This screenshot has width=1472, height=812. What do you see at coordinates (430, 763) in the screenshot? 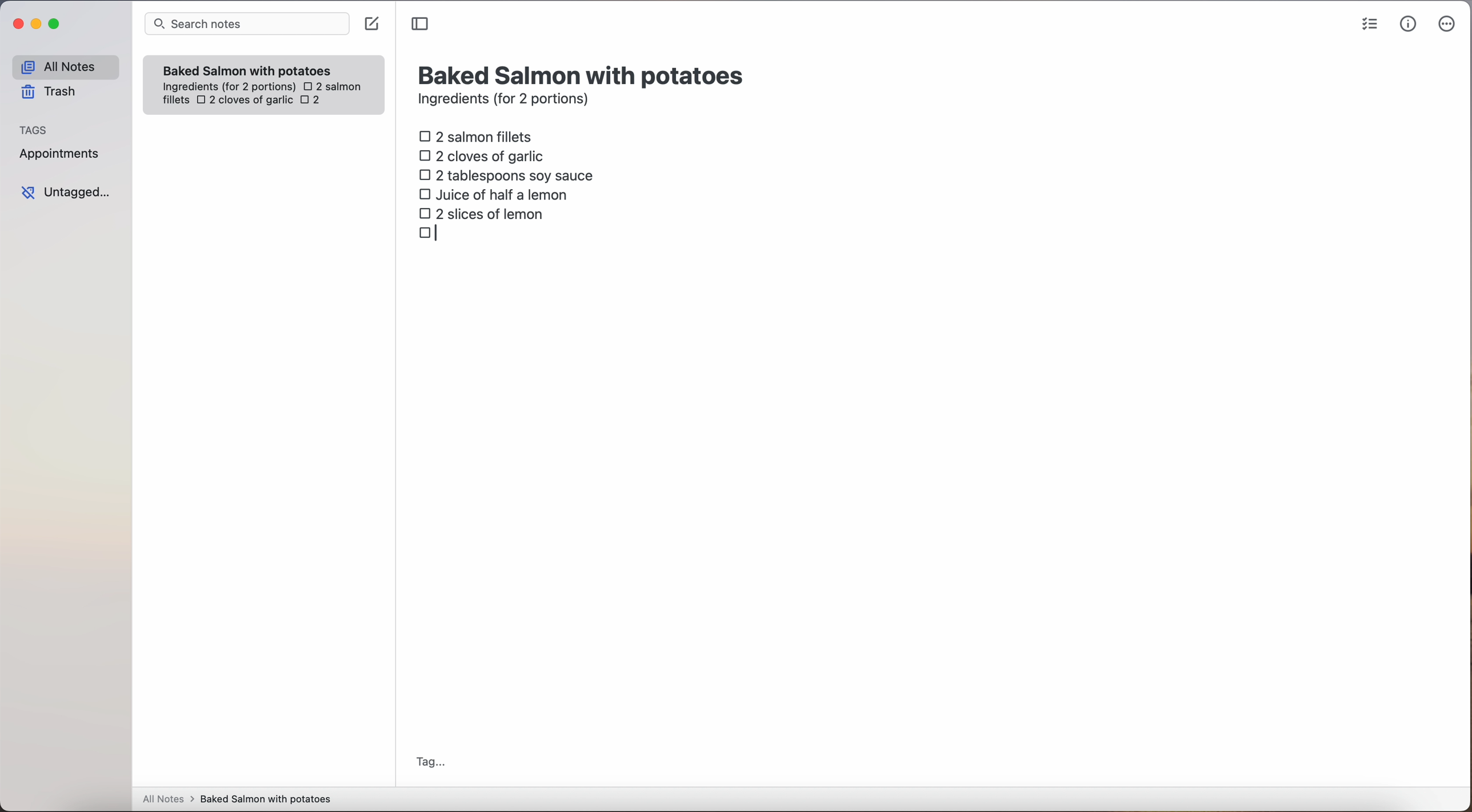
I see `tag` at bounding box center [430, 763].